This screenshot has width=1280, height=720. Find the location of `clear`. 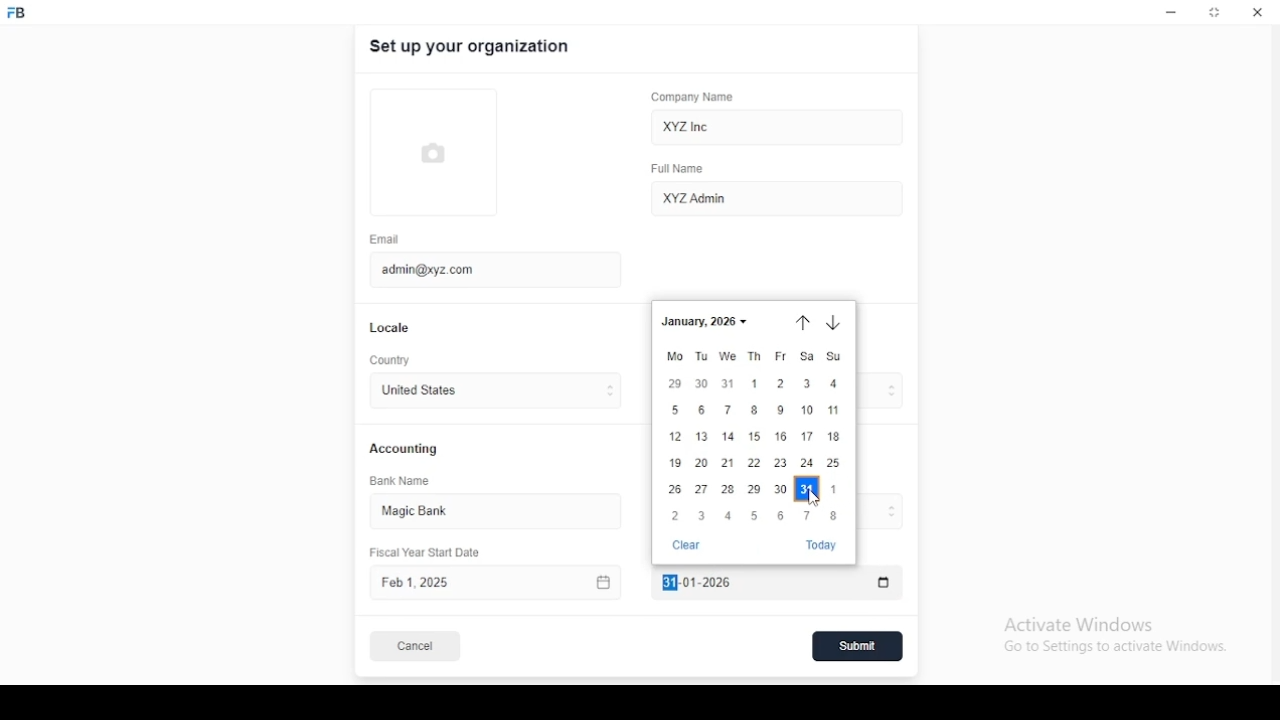

clear is located at coordinates (687, 545).